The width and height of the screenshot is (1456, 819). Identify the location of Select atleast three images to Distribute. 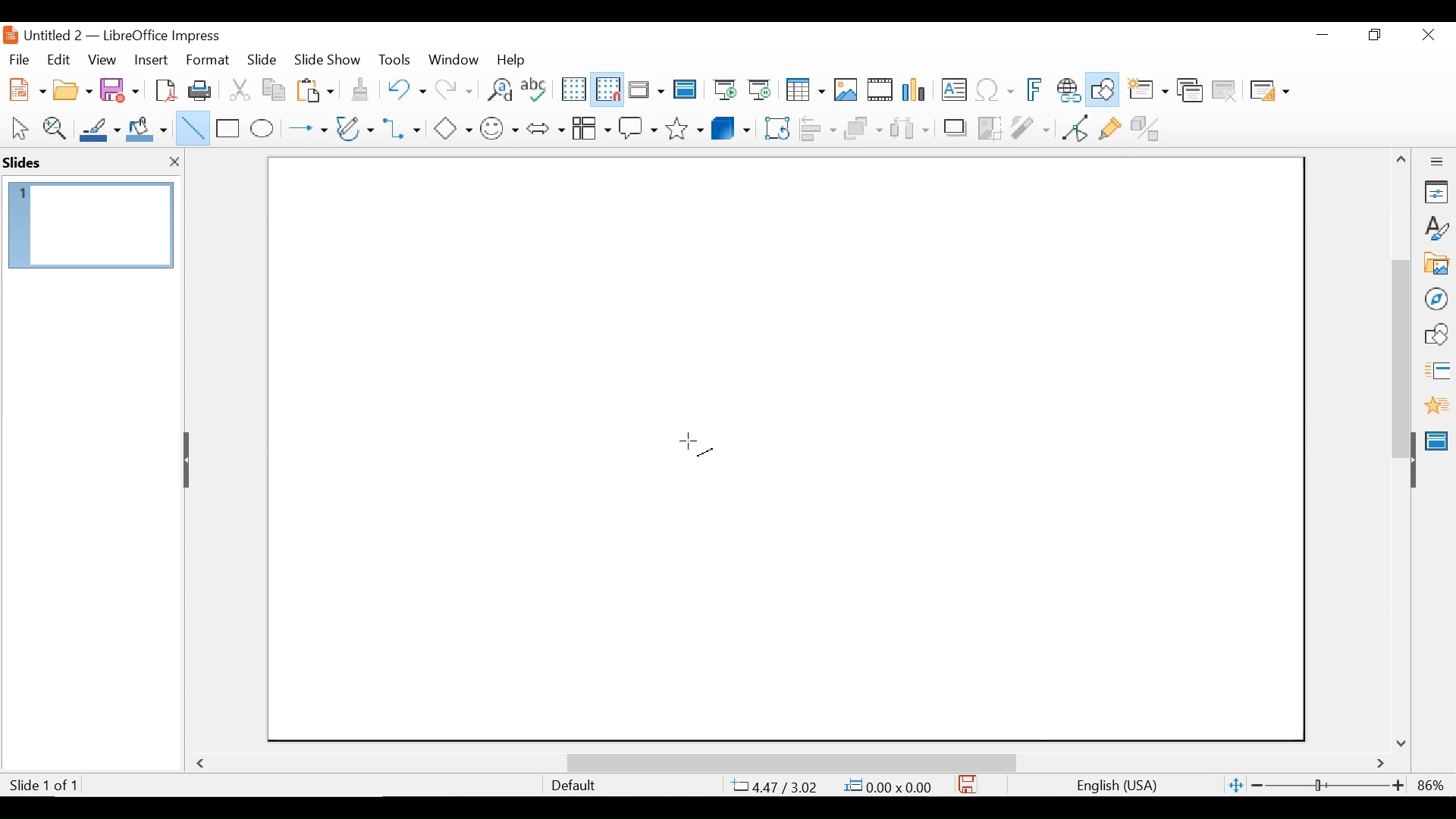
(909, 127).